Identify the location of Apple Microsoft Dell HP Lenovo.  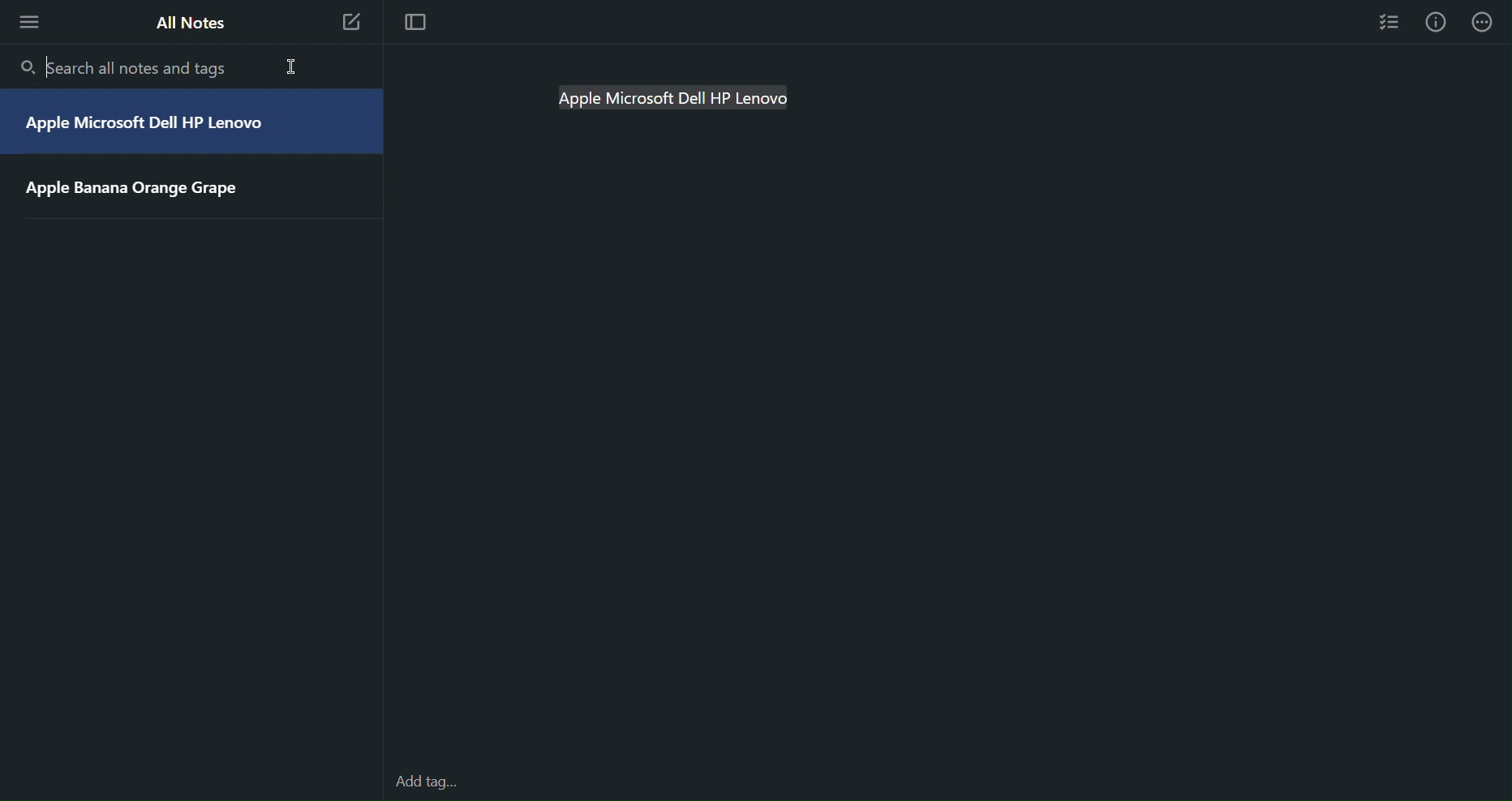
(684, 99).